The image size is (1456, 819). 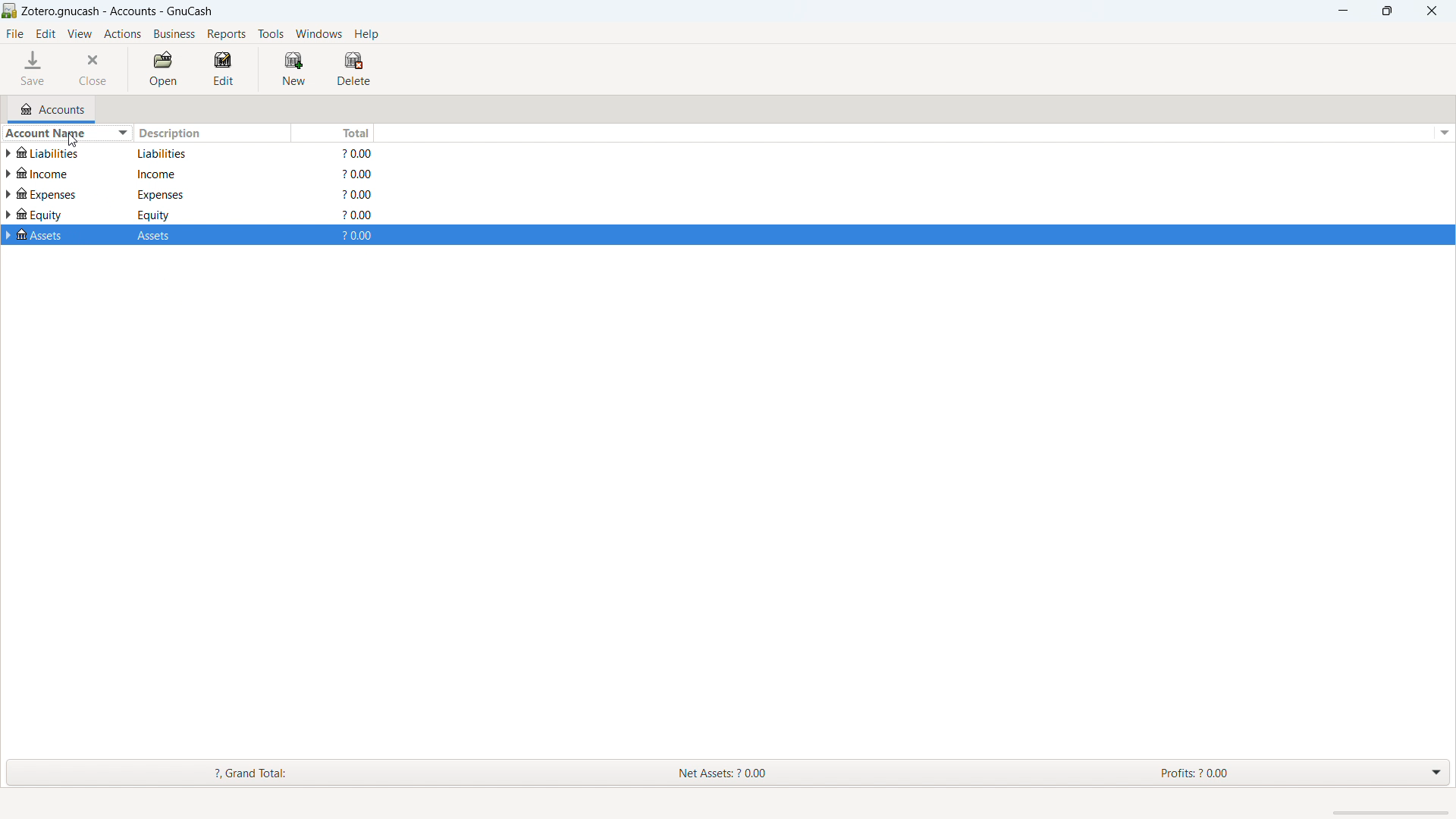 I want to click on expand subaccounts, so click(x=9, y=235).